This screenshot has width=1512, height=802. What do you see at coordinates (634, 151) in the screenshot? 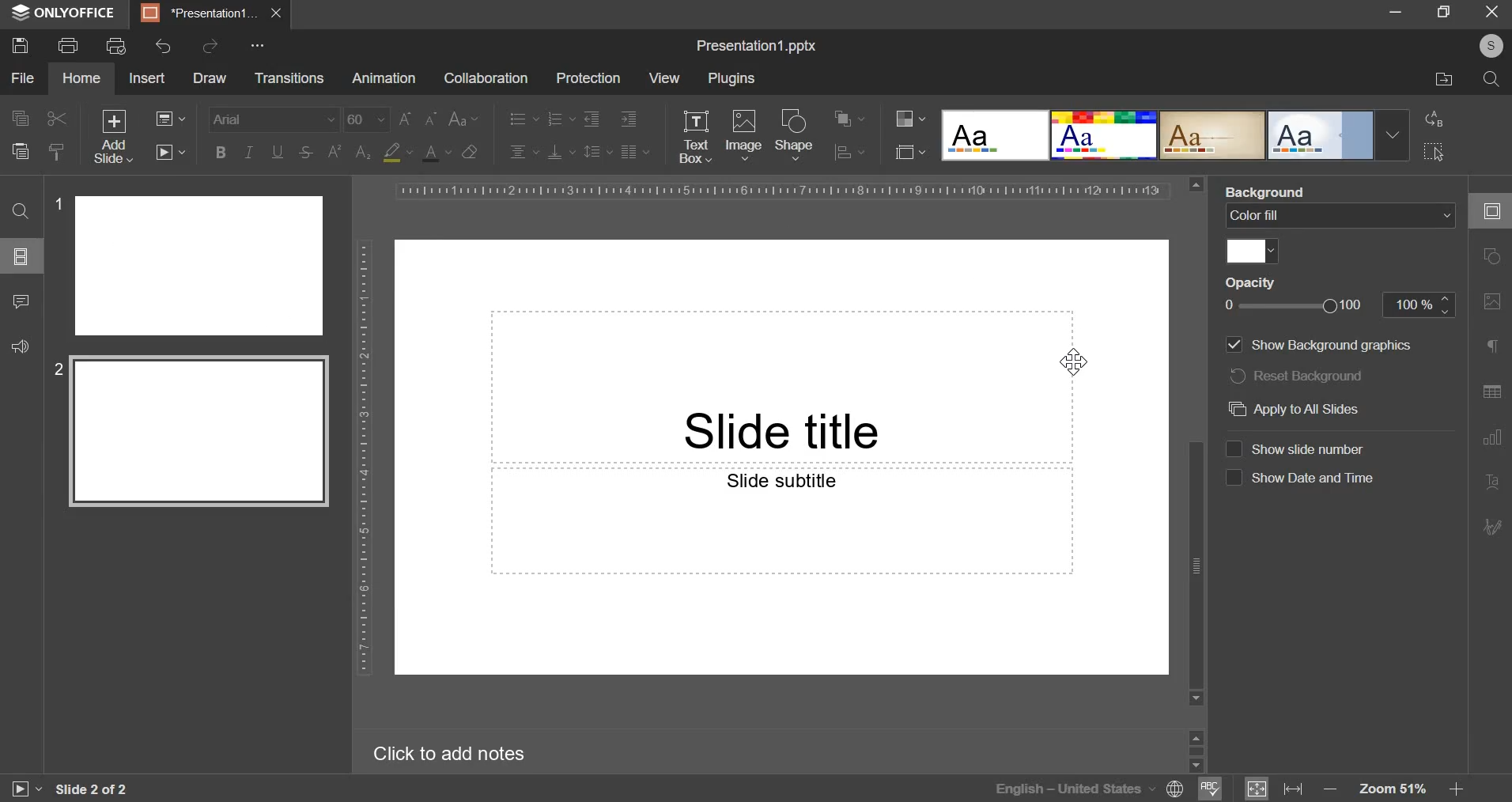
I see `paragraph alignment` at bounding box center [634, 151].